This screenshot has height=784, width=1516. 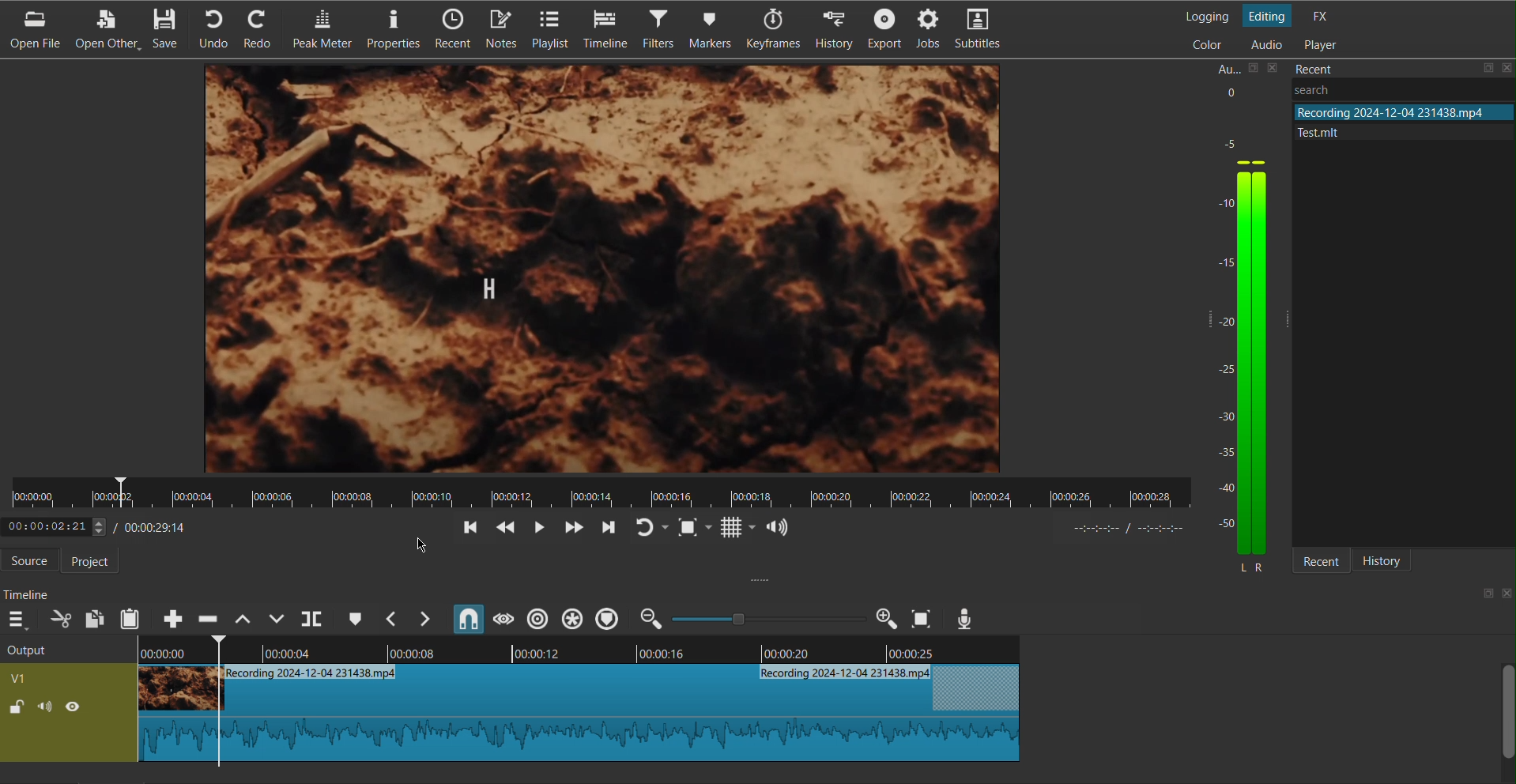 I want to click on Subtitles, so click(x=983, y=32).